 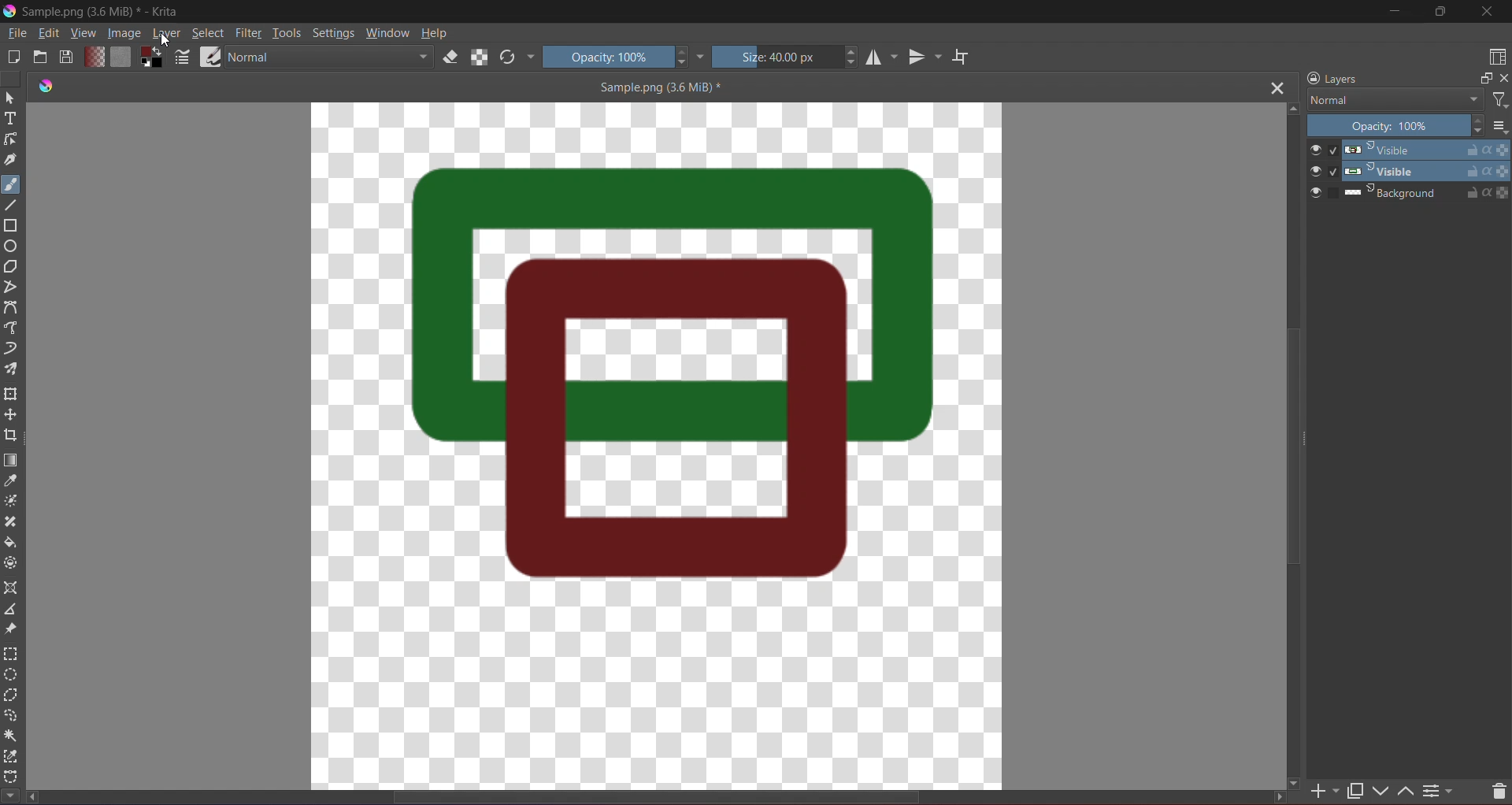 What do you see at coordinates (11, 121) in the screenshot?
I see `Text` at bounding box center [11, 121].